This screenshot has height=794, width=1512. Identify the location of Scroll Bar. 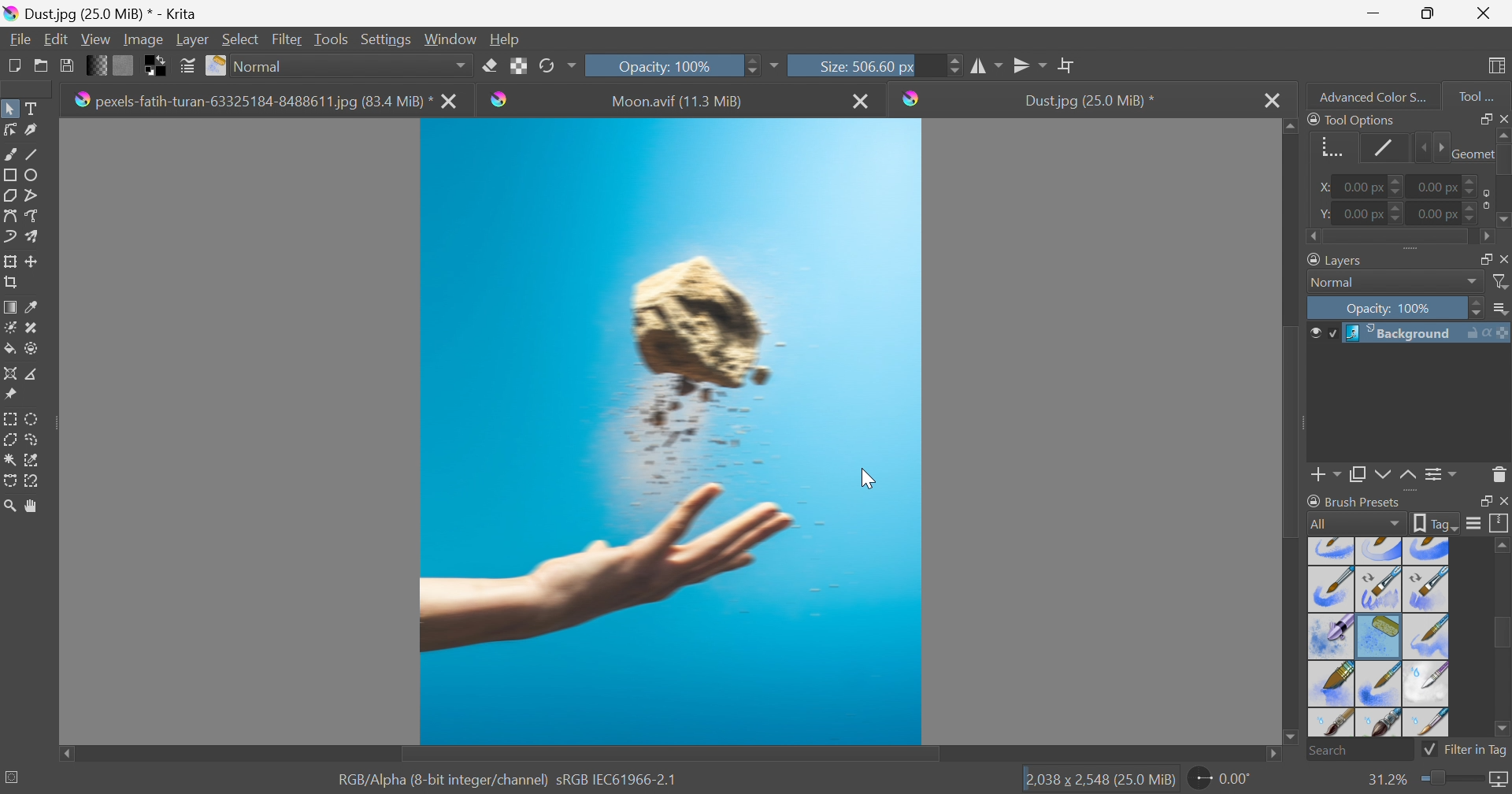
(1502, 635).